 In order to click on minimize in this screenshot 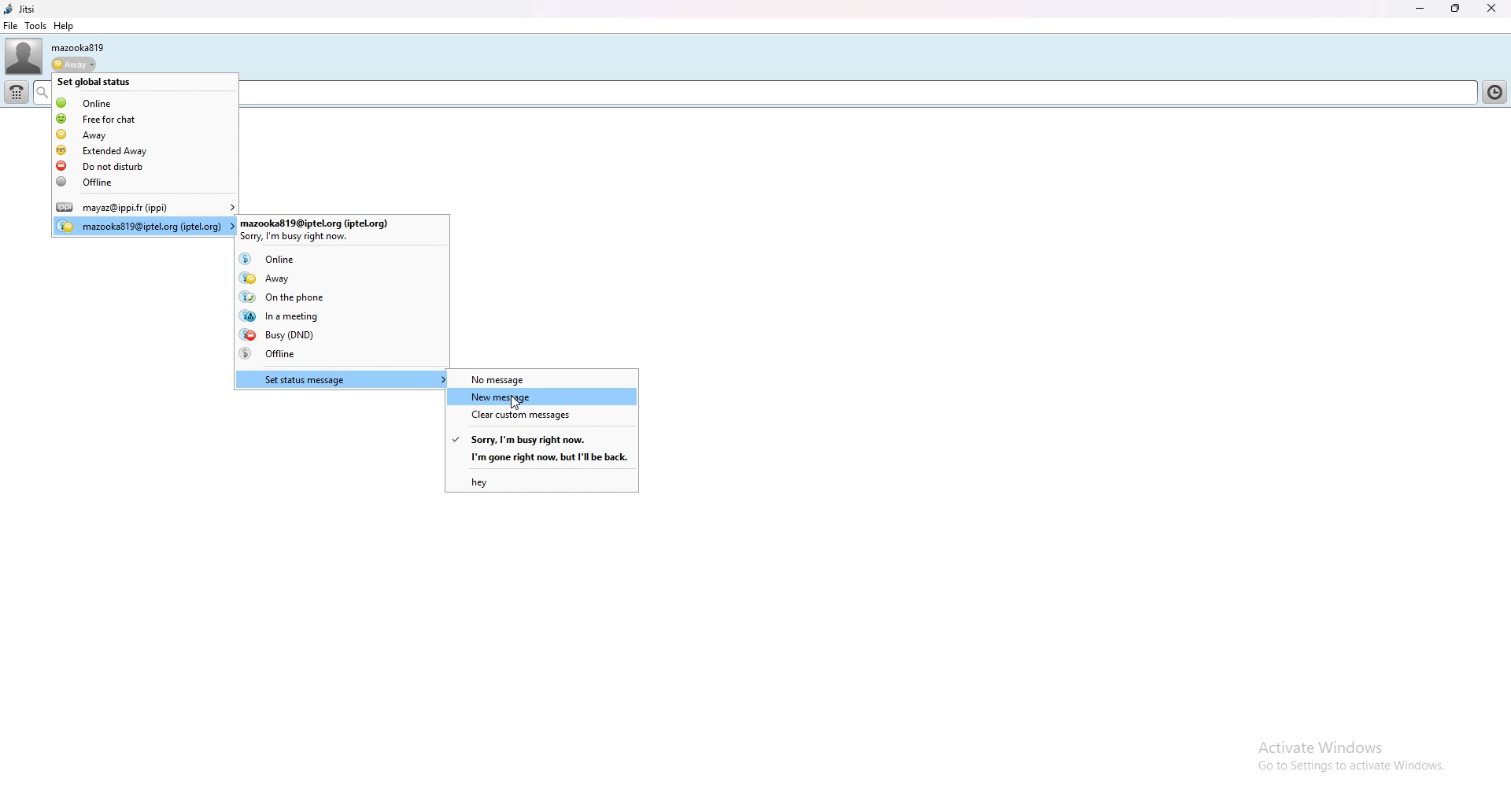, I will do `click(1420, 9)`.